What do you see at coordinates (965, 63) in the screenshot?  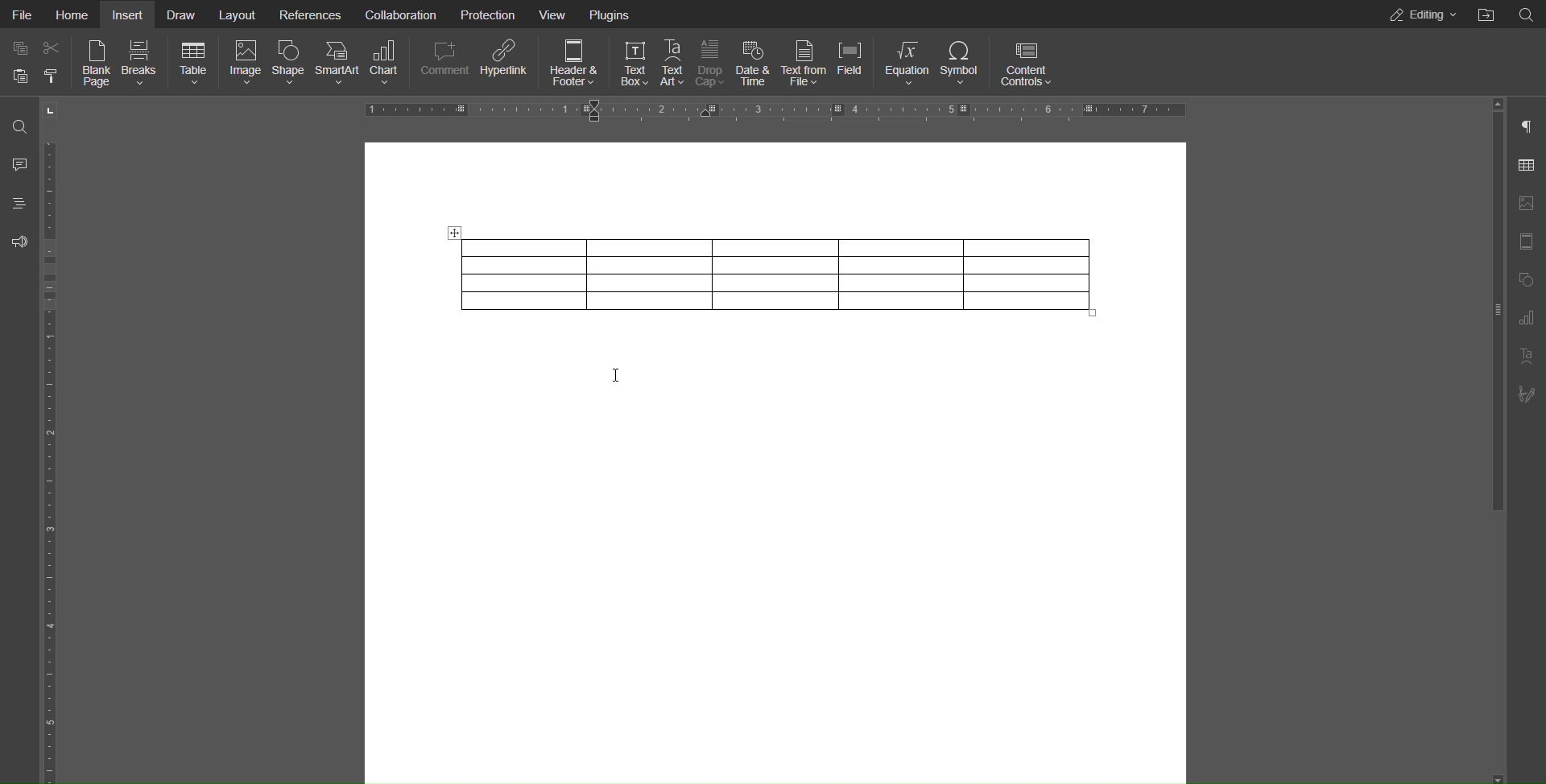 I see `Symbol` at bounding box center [965, 63].